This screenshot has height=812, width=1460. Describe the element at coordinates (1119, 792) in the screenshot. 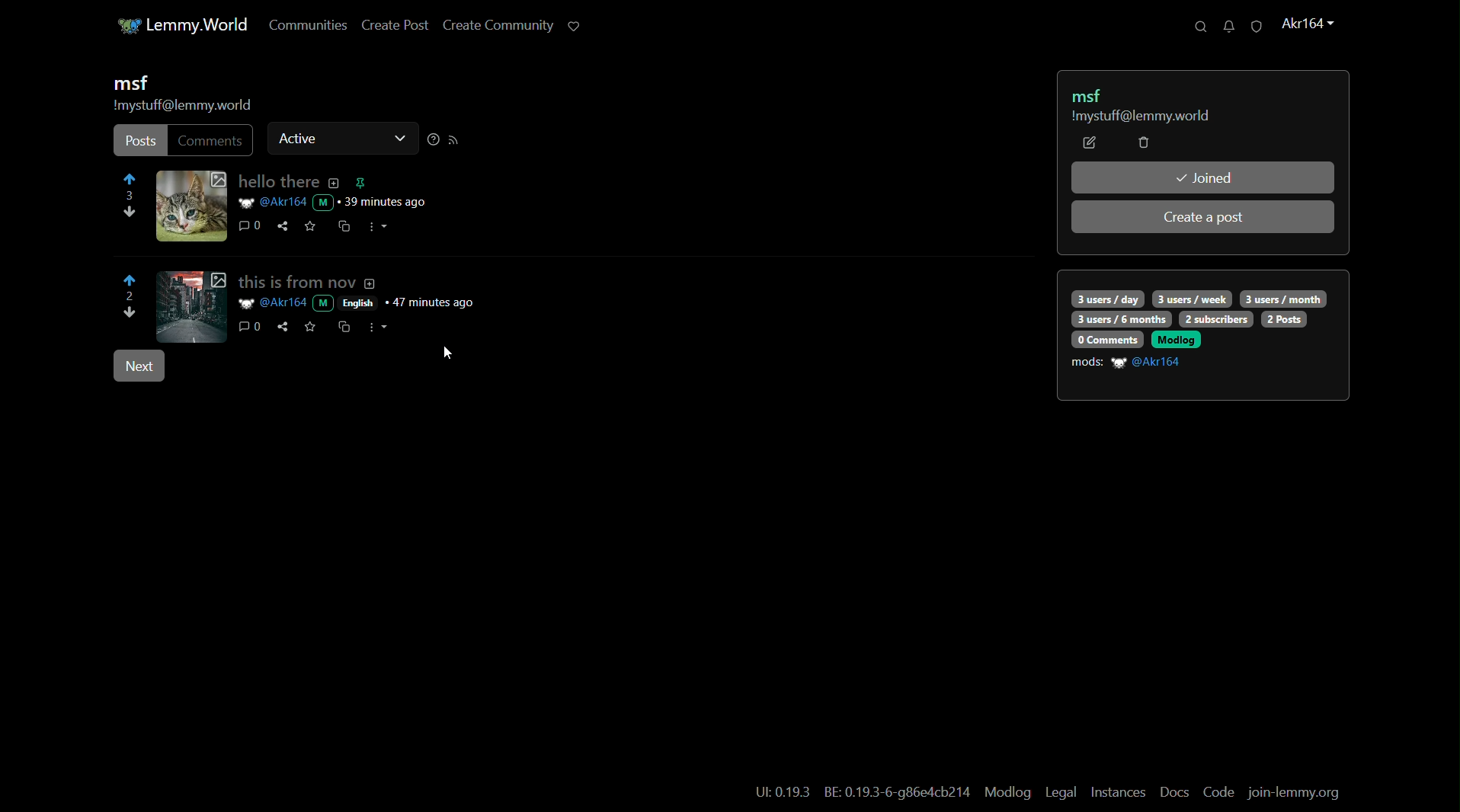

I see `instances` at that location.